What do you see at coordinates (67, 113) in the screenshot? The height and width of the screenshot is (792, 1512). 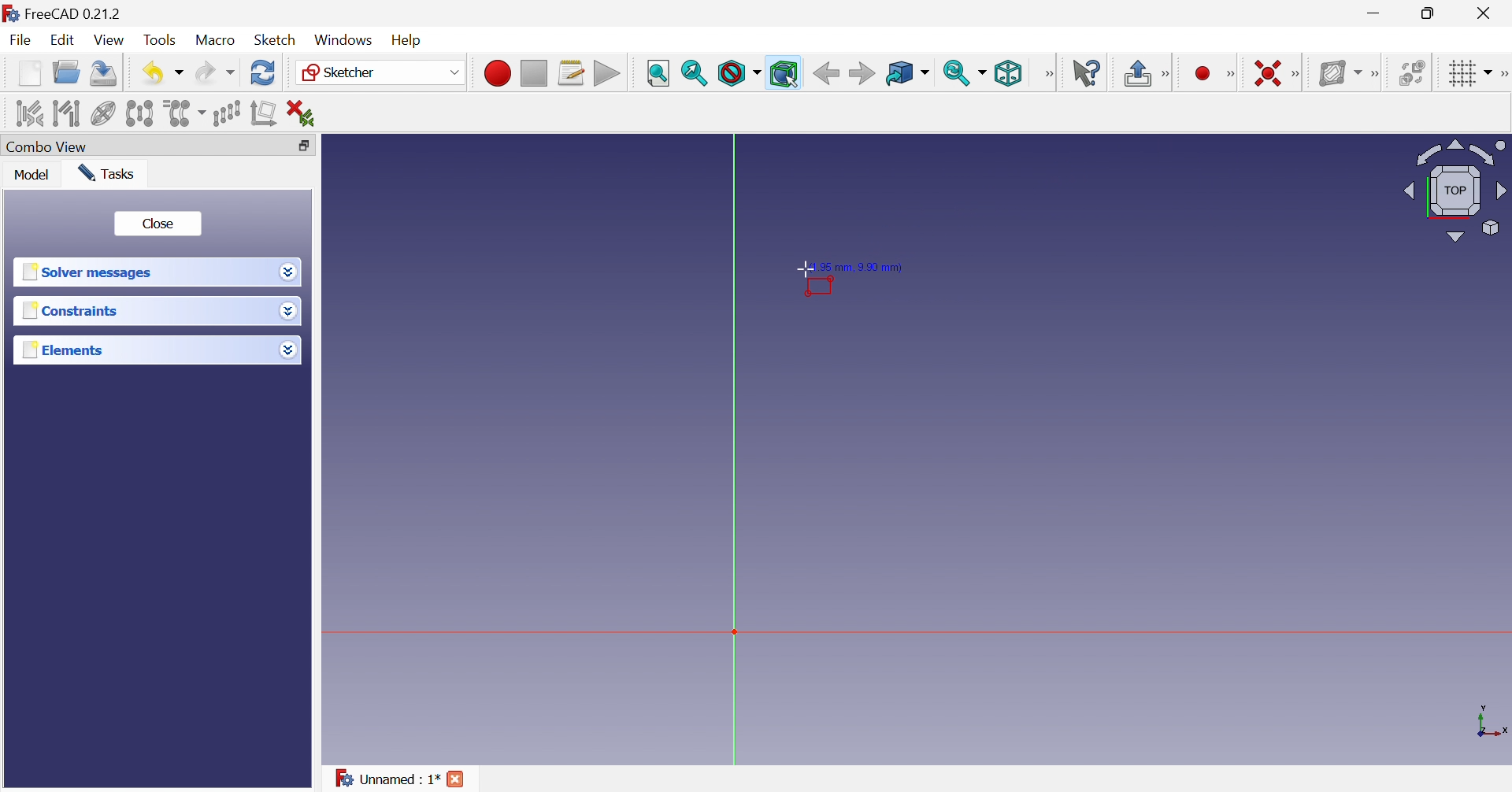 I see `Select associated geometry` at bounding box center [67, 113].